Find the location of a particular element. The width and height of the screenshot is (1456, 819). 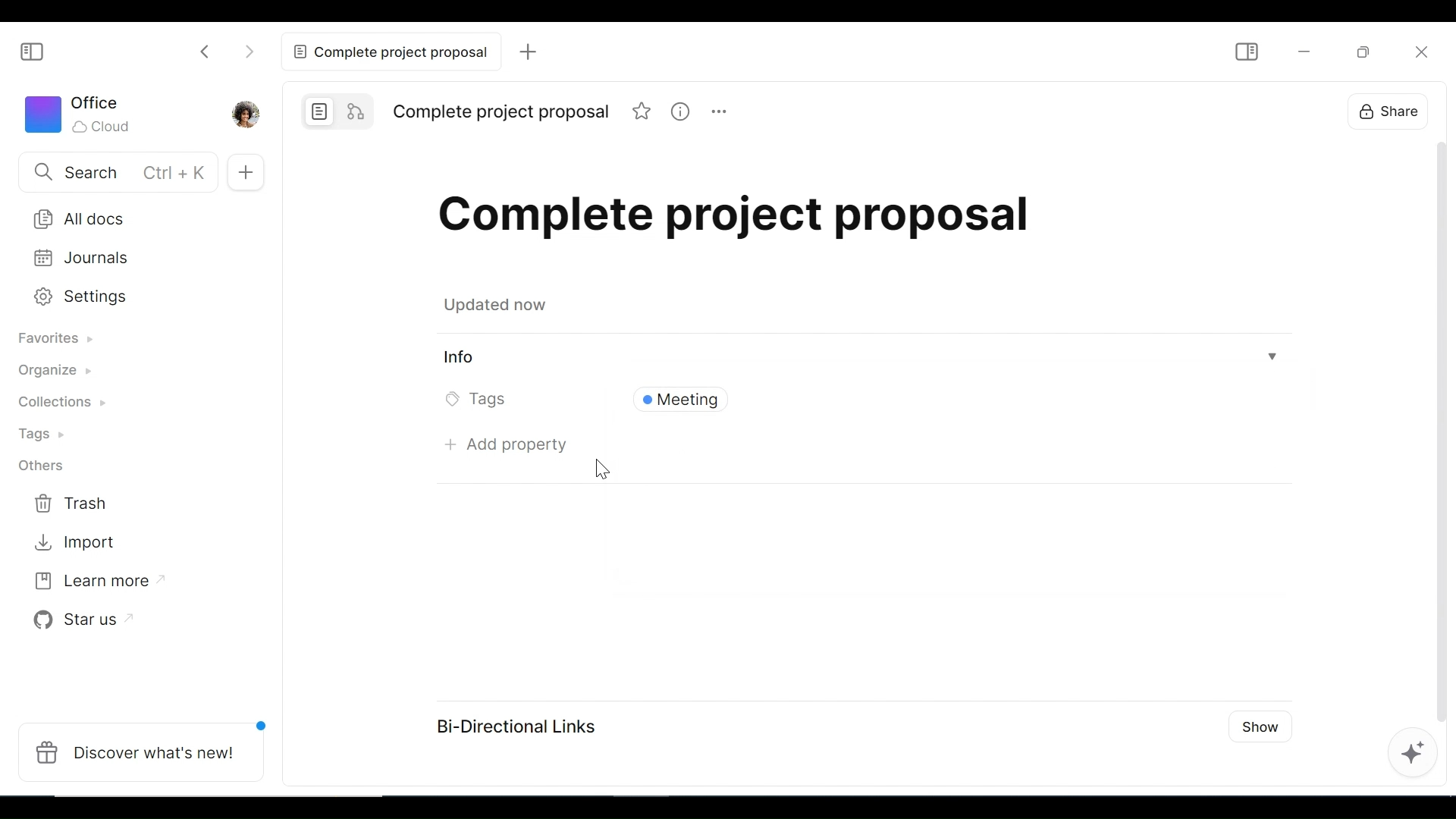

Restore is located at coordinates (1361, 51).